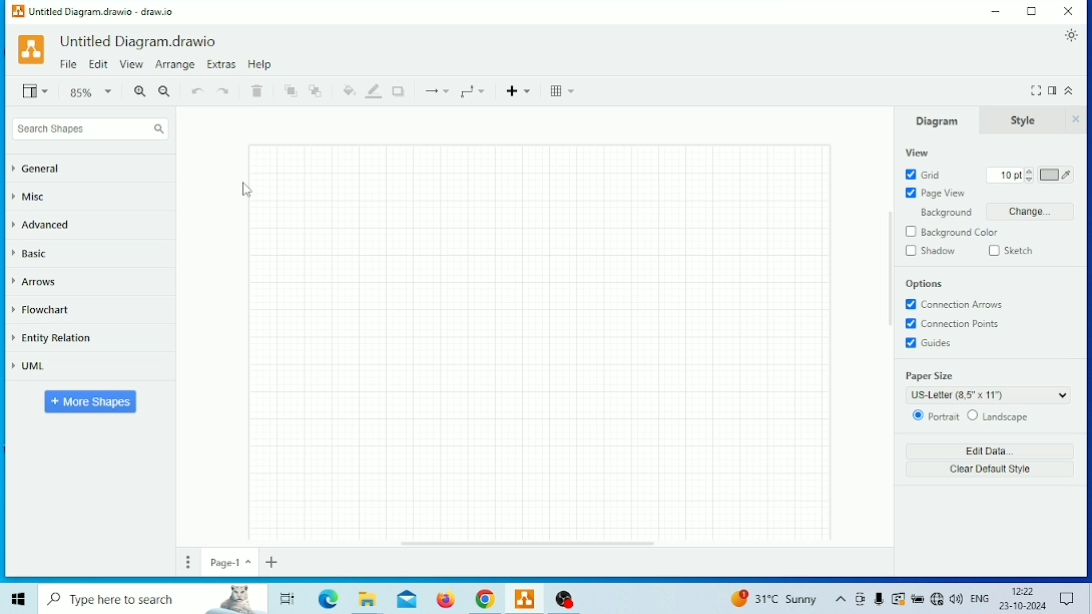 The width and height of the screenshot is (1092, 614). I want to click on Task View, so click(289, 597).